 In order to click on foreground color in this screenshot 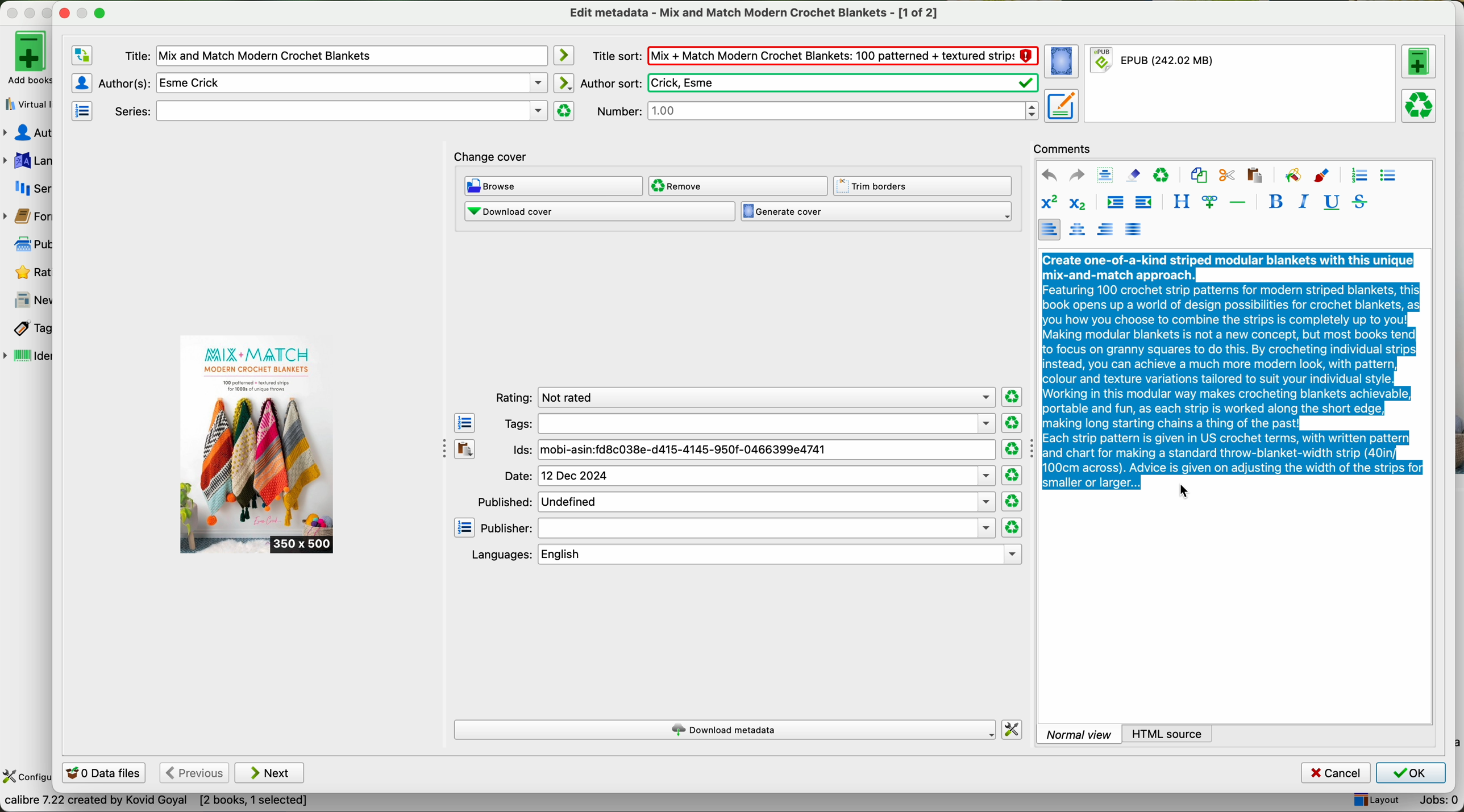, I will do `click(1322, 177)`.